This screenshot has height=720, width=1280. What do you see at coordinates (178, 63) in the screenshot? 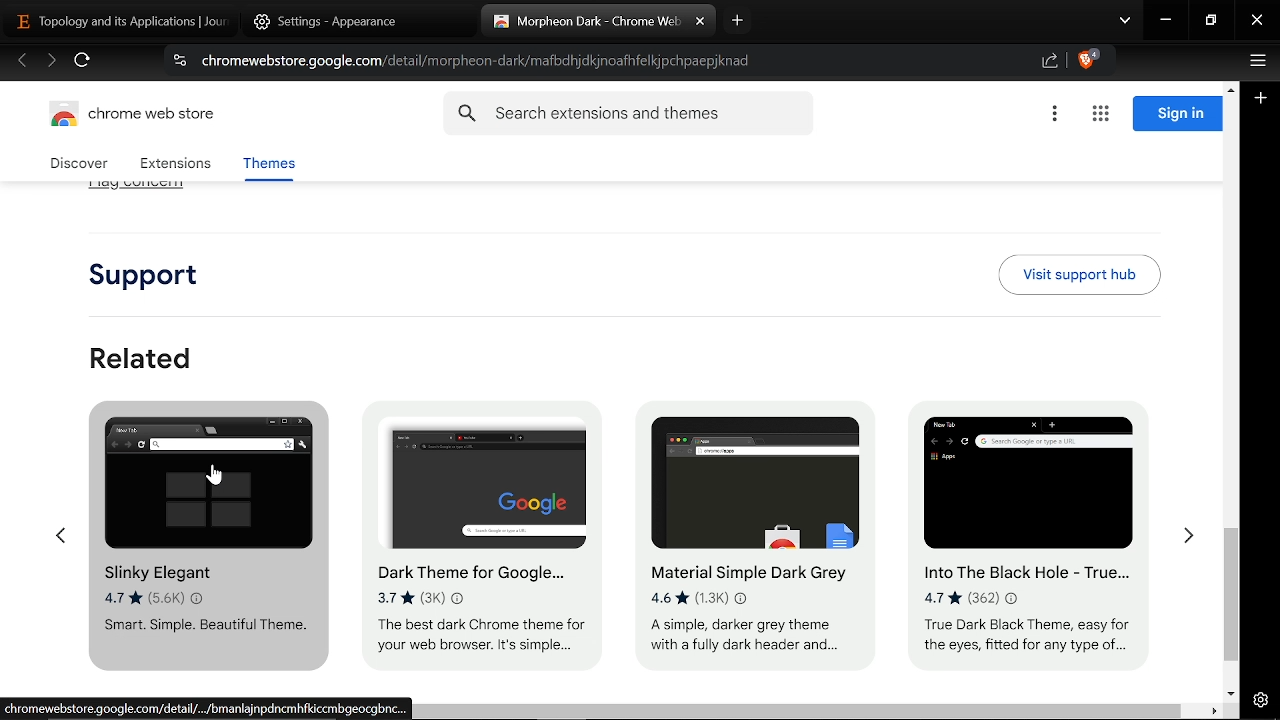
I see `Cite information` at bounding box center [178, 63].